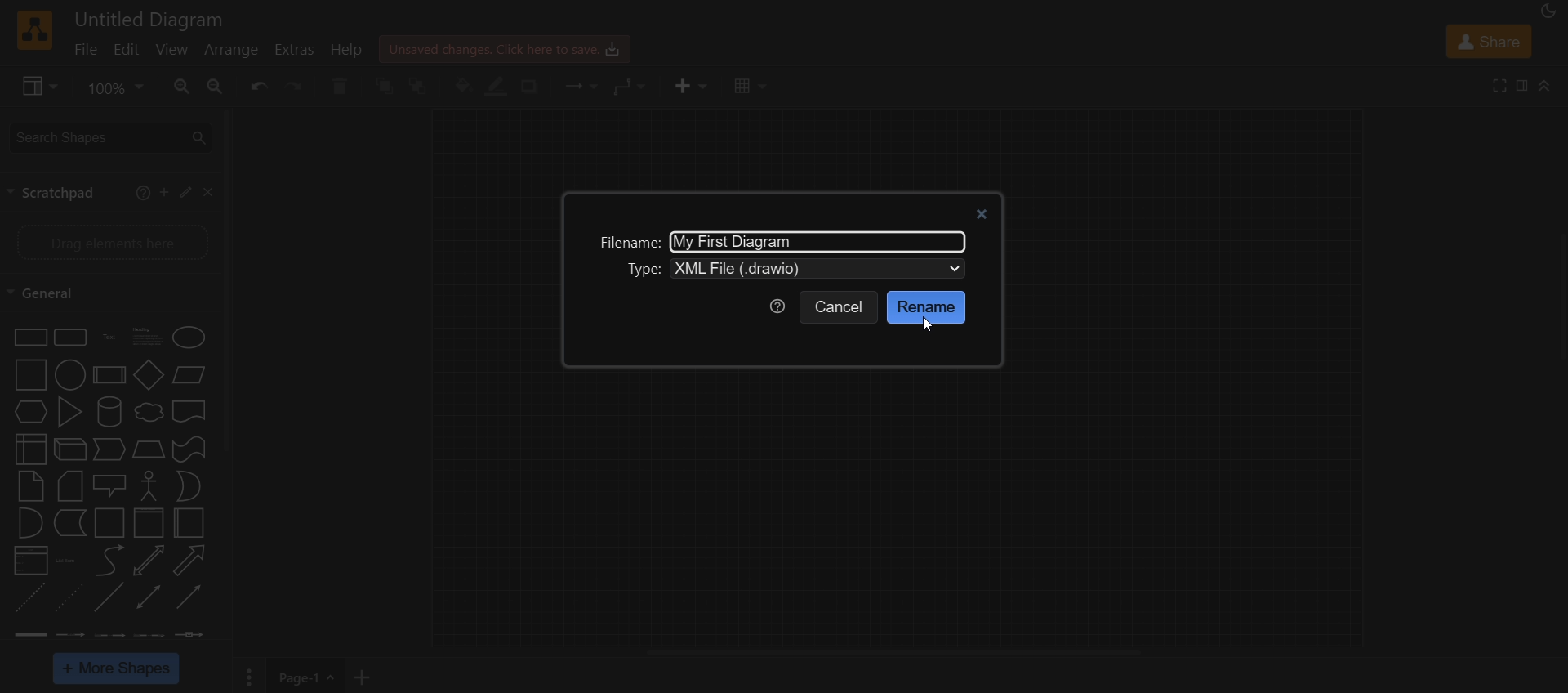 The height and width of the screenshot is (693, 1568). Describe the element at coordinates (462, 86) in the screenshot. I see `fill` at that location.